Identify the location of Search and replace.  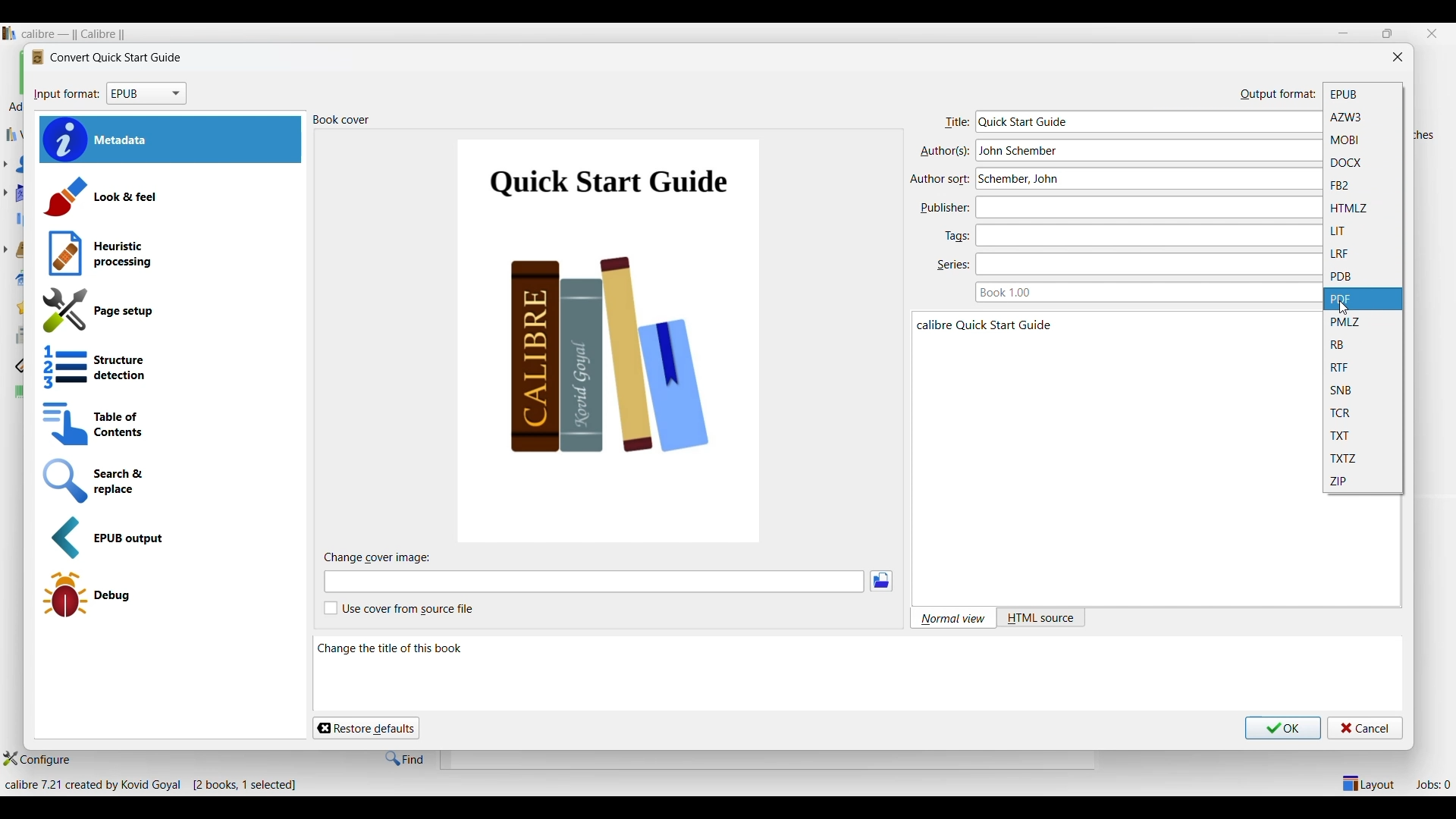
(164, 482).